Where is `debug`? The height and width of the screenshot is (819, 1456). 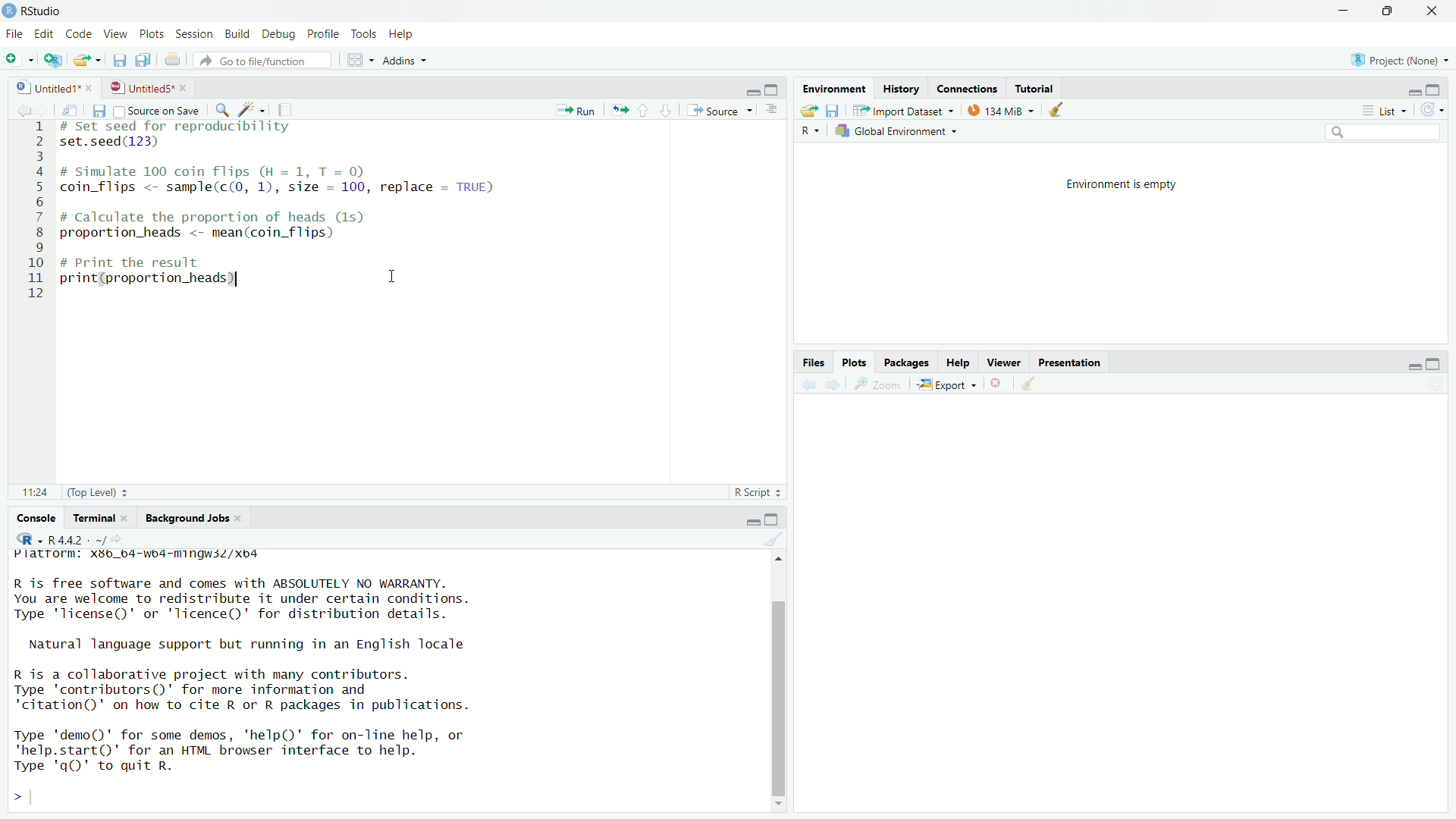 debug is located at coordinates (281, 35).